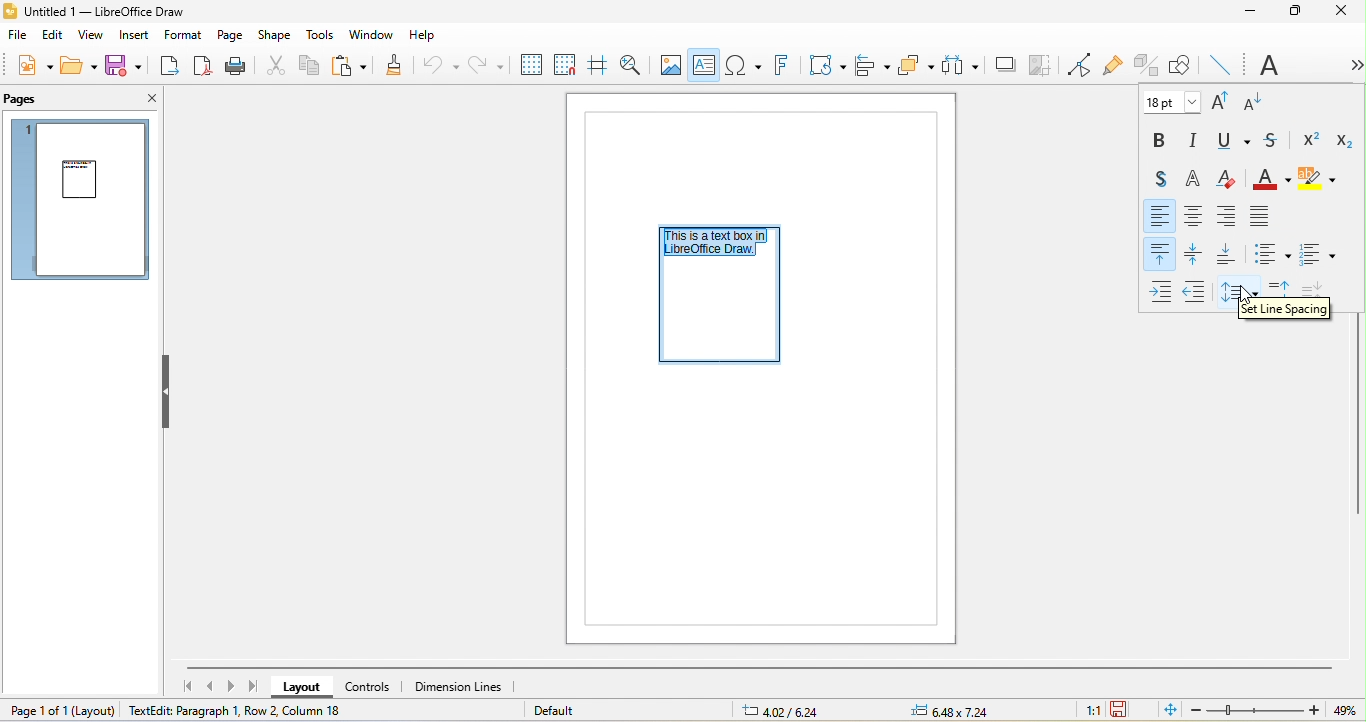 Image resolution: width=1366 pixels, height=722 pixels. Describe the element at coordinates (1235, 142) in the screenshot. I see `underline` at that location.